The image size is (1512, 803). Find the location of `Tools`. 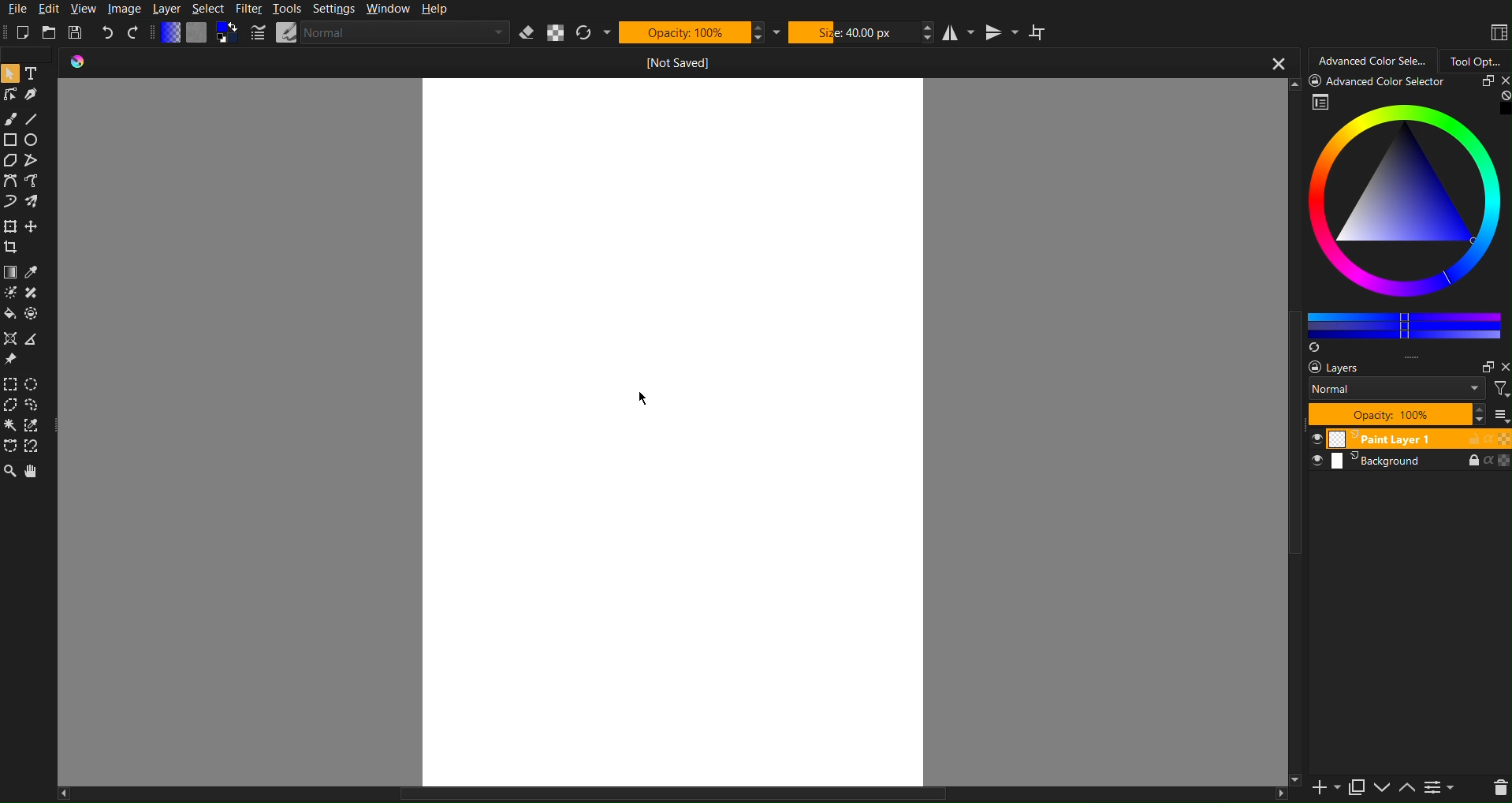

Tools is located at coordinates (286, 9).